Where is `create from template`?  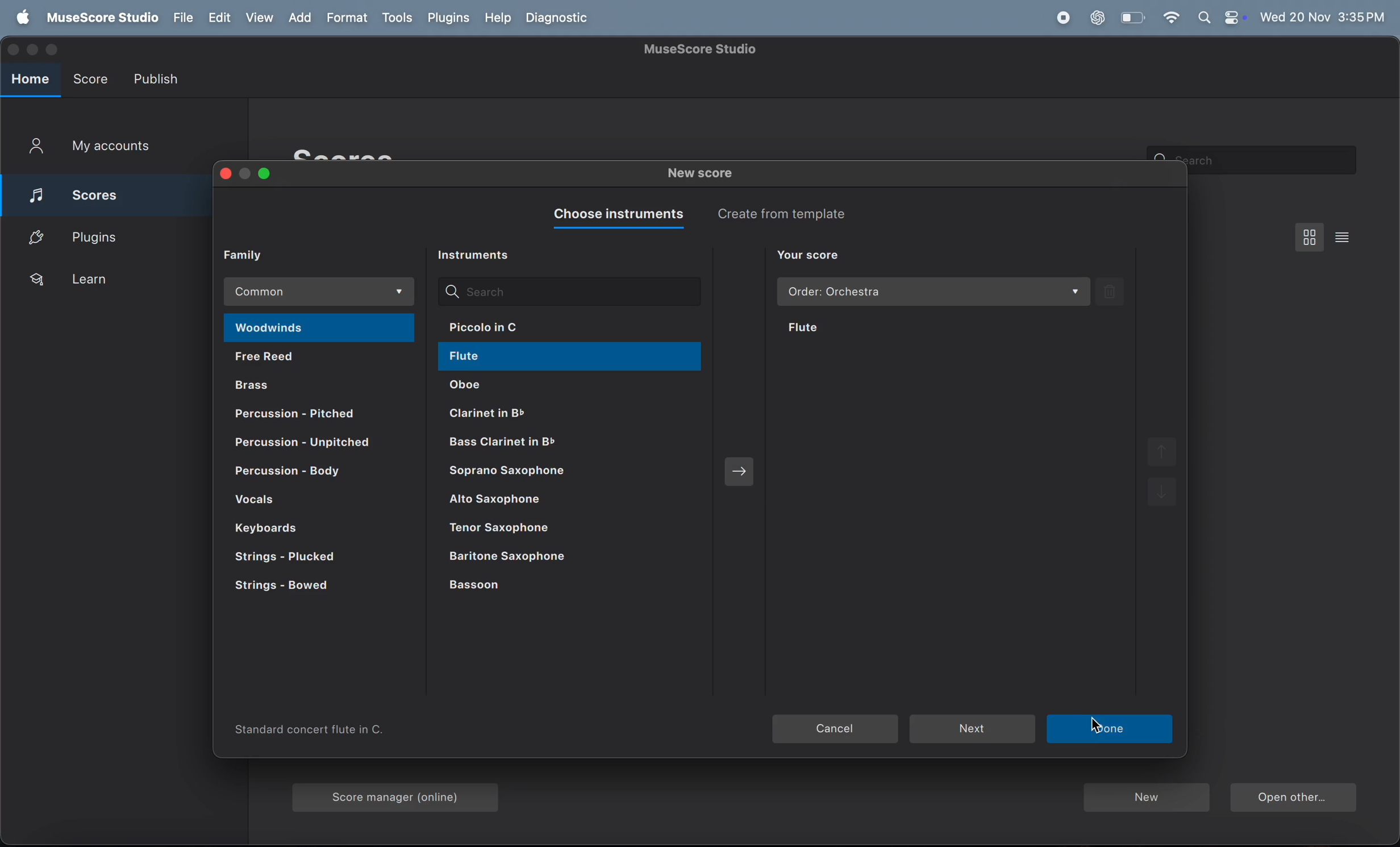 create from template is located at coordinates (790, 213).